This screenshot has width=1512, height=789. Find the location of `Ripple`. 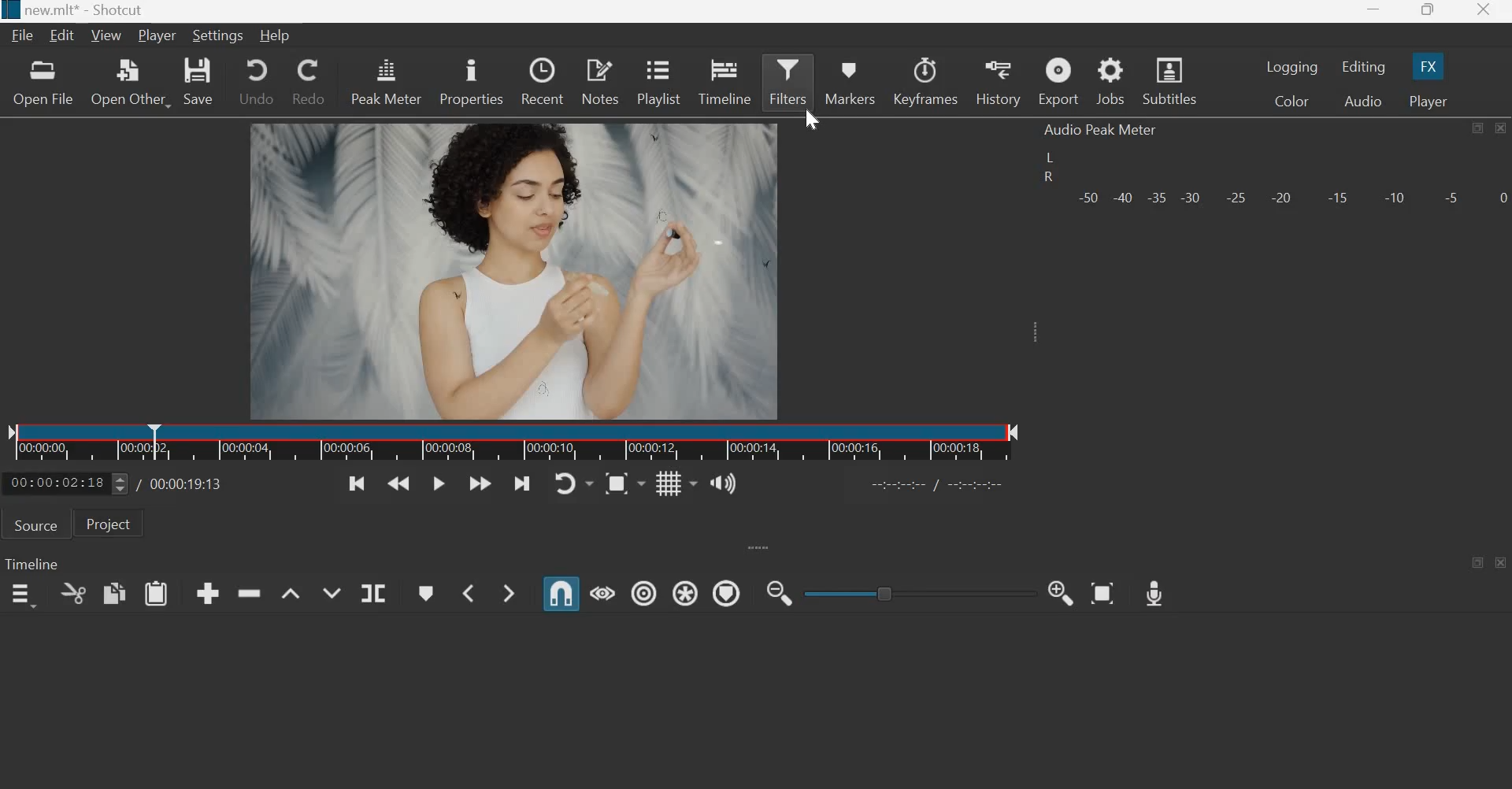

Ripple is located at coordinates (644, 591).